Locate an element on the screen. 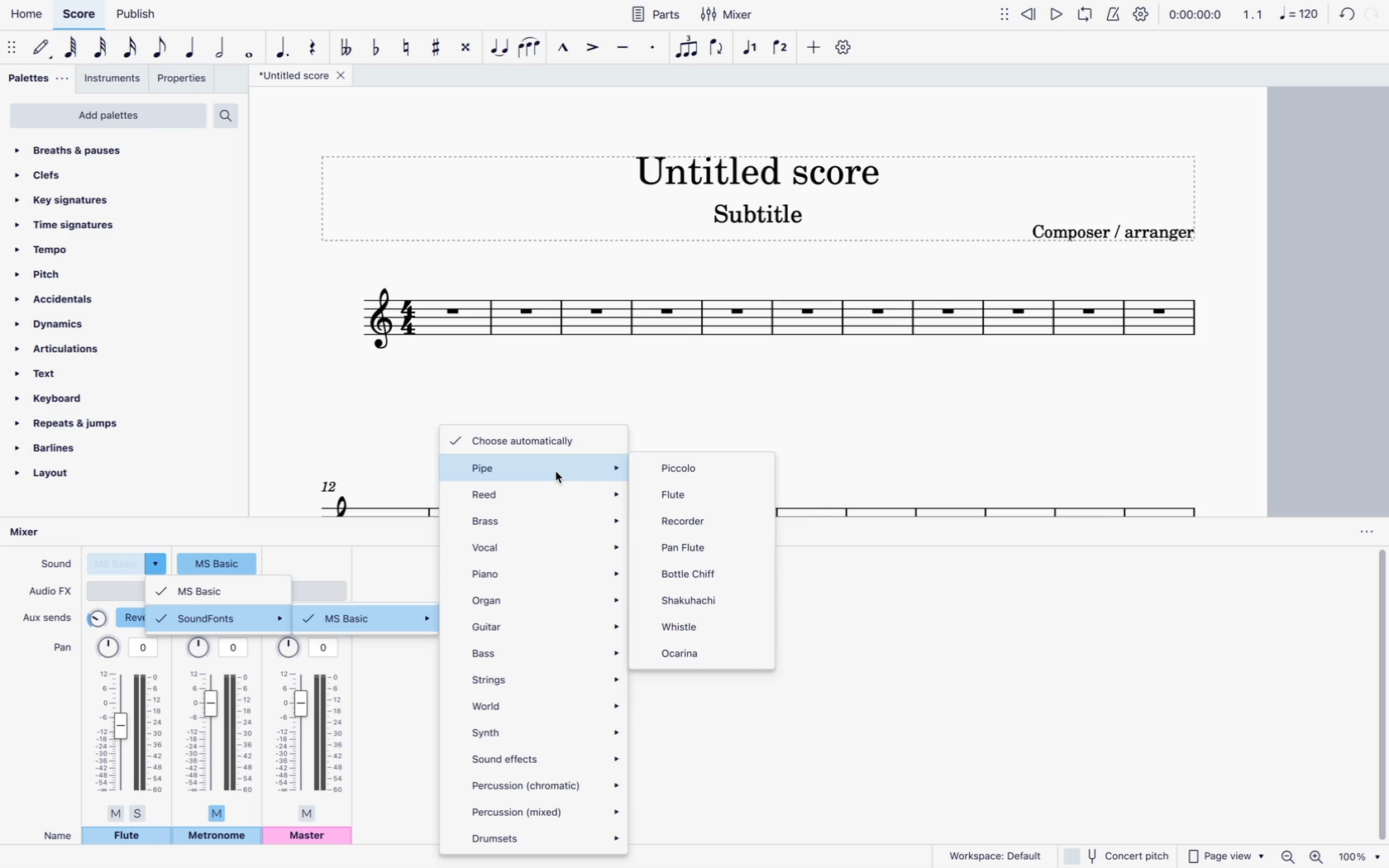  rest is located at coordinates (313, 44).